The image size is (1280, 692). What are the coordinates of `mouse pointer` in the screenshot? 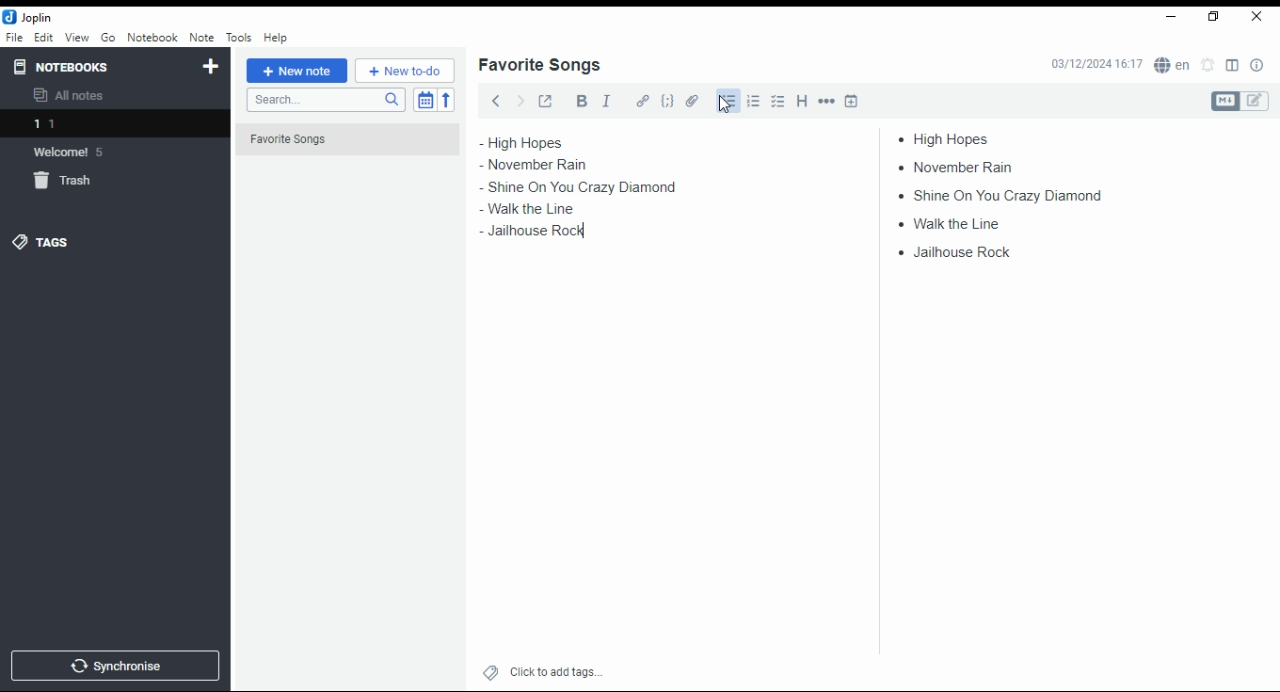 It's located at (725, 104).